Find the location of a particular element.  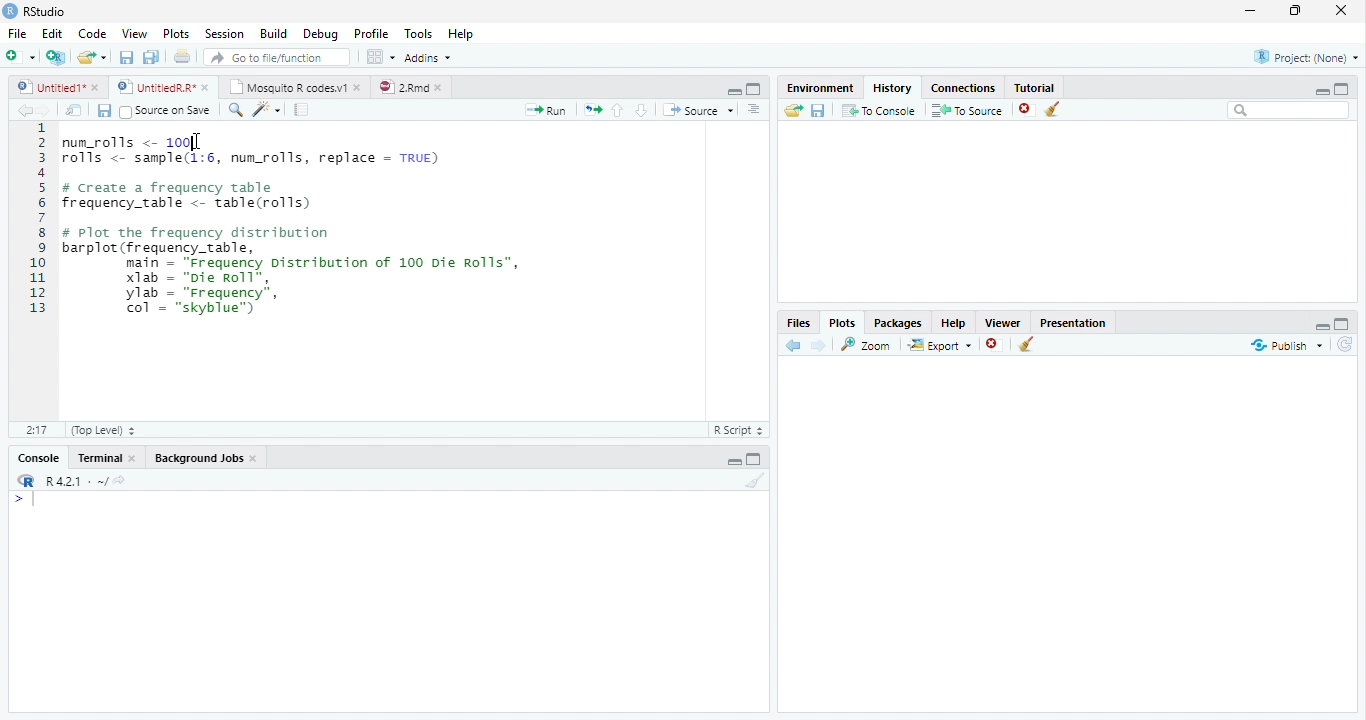

Save File is located at coordinates (819, 110).